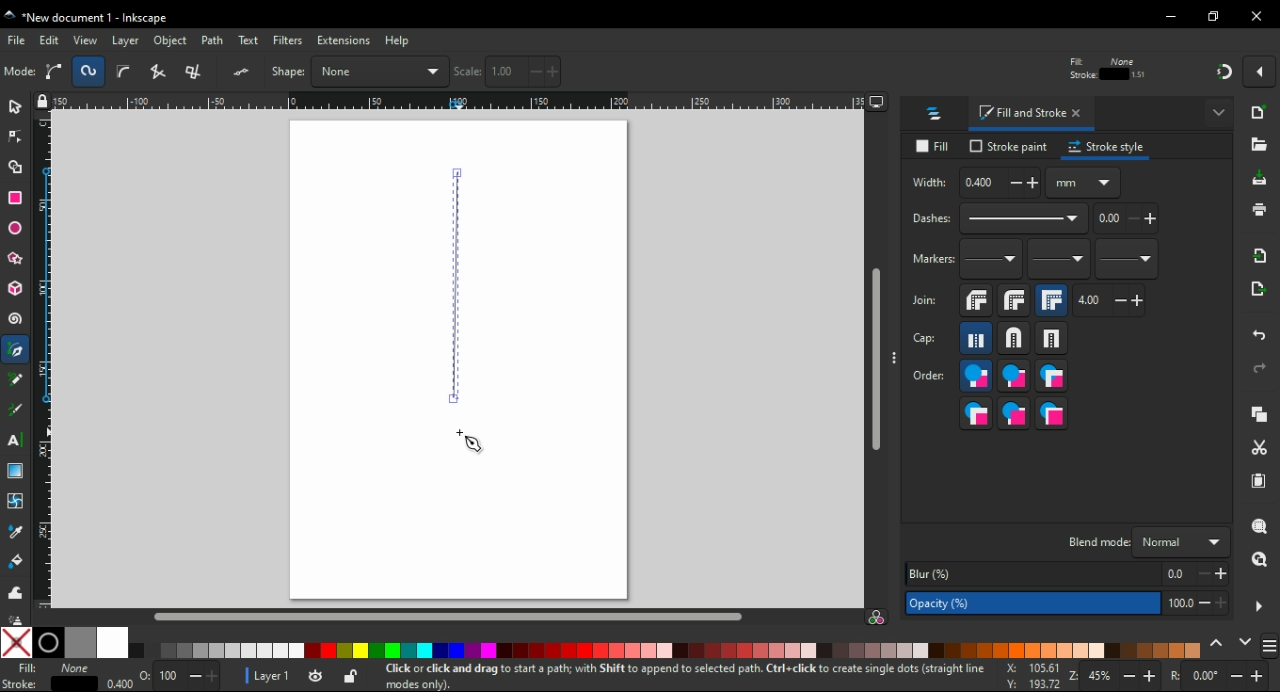 This screenshot has height=692, width=1280. Describe the element at coordinates (15, 440) in the screenshot. I see `text tool` at that location.